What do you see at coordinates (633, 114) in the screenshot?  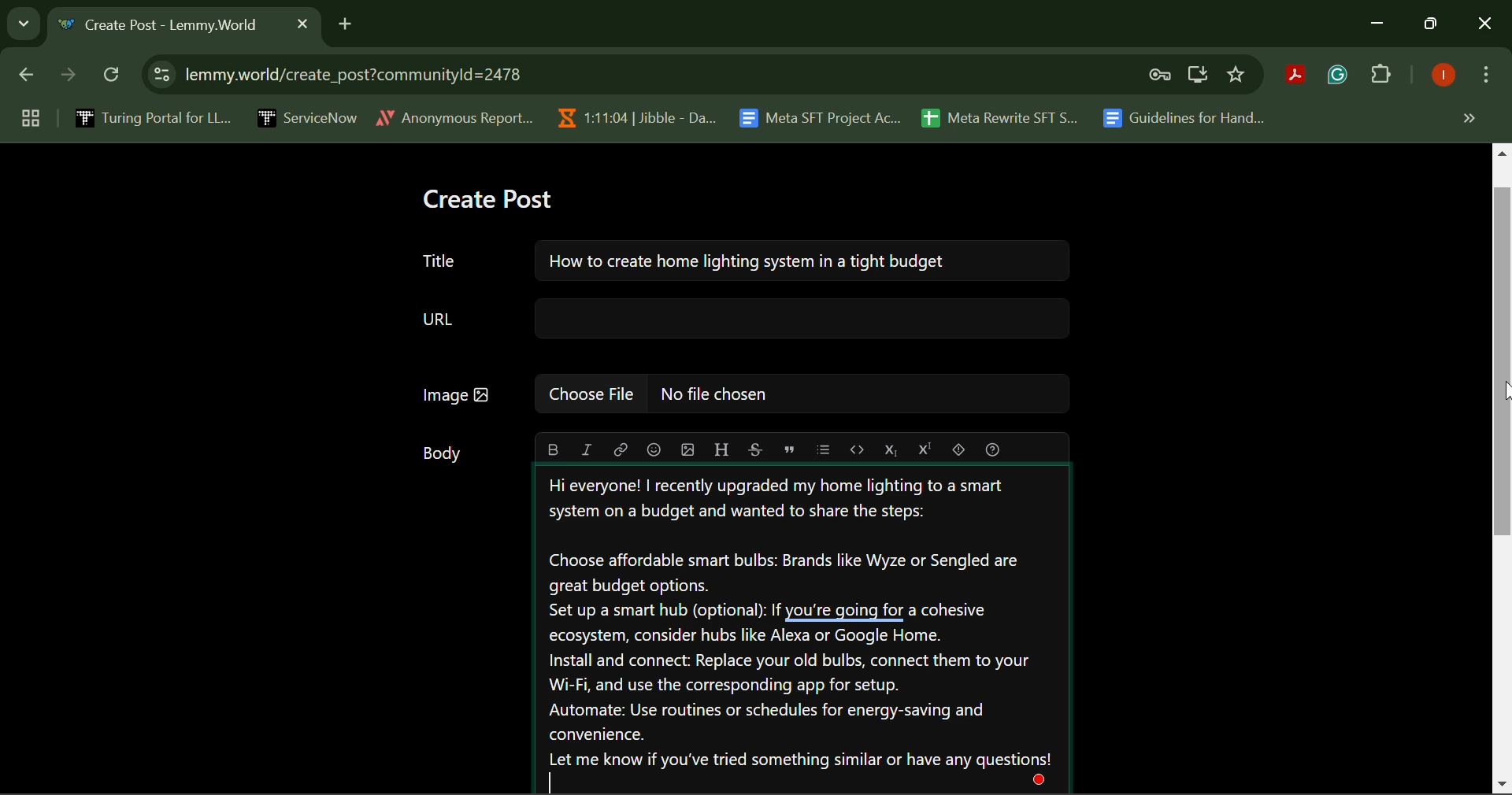 I see `Jibble` at bounding box center [633, 114].